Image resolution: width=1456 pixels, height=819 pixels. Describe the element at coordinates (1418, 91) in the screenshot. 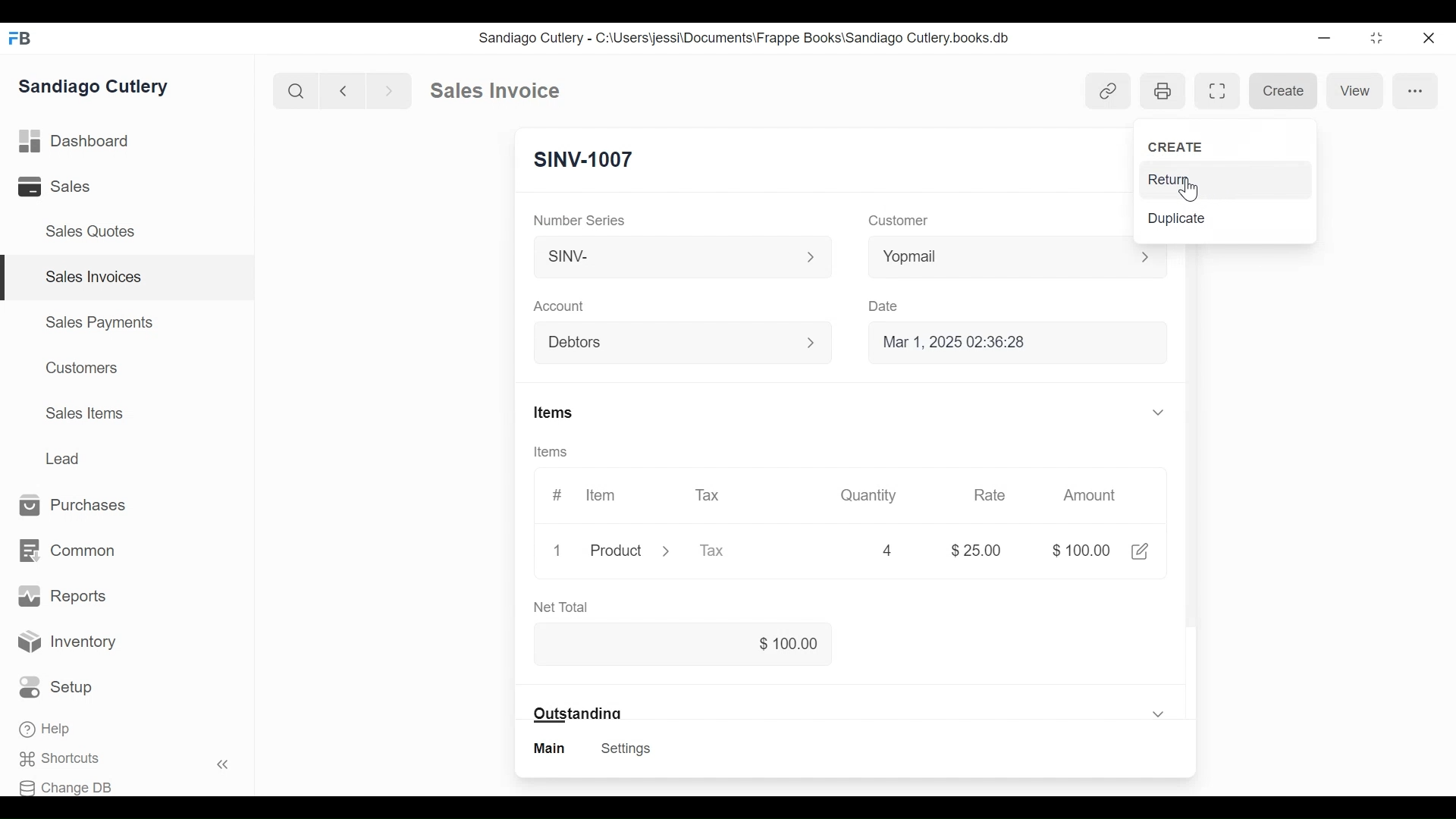

I see `More` at that location.